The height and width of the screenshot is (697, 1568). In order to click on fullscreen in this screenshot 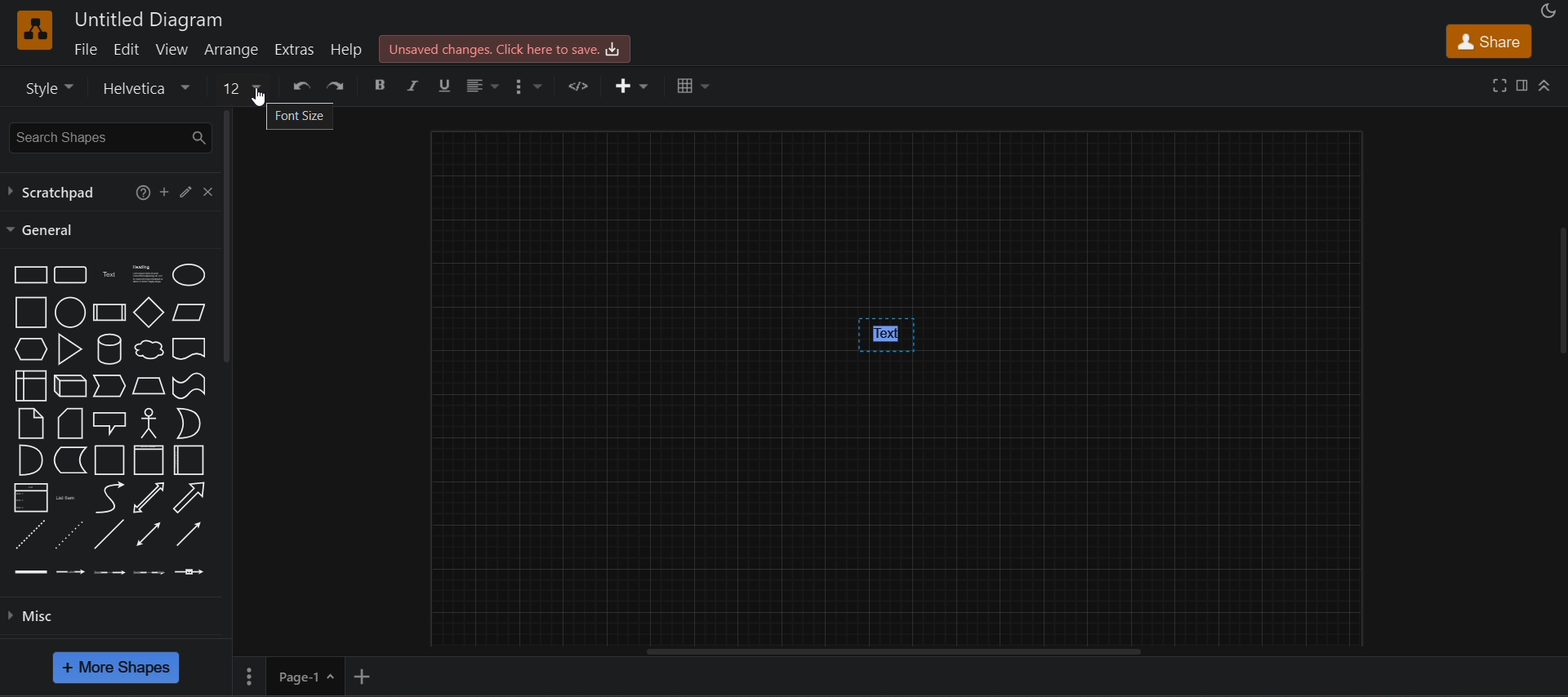, I will do `click(1499, 85)`.